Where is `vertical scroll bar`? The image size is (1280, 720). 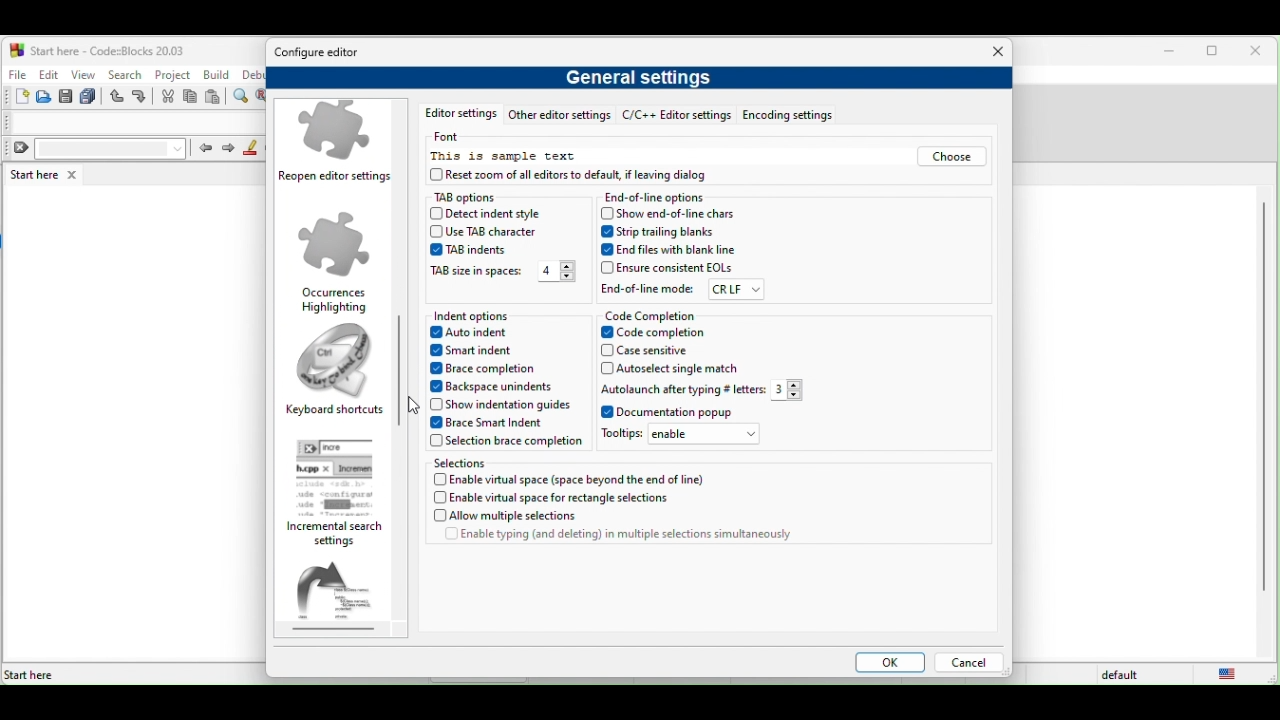 vertical scroll bar is located at coordinates (1262, 398).